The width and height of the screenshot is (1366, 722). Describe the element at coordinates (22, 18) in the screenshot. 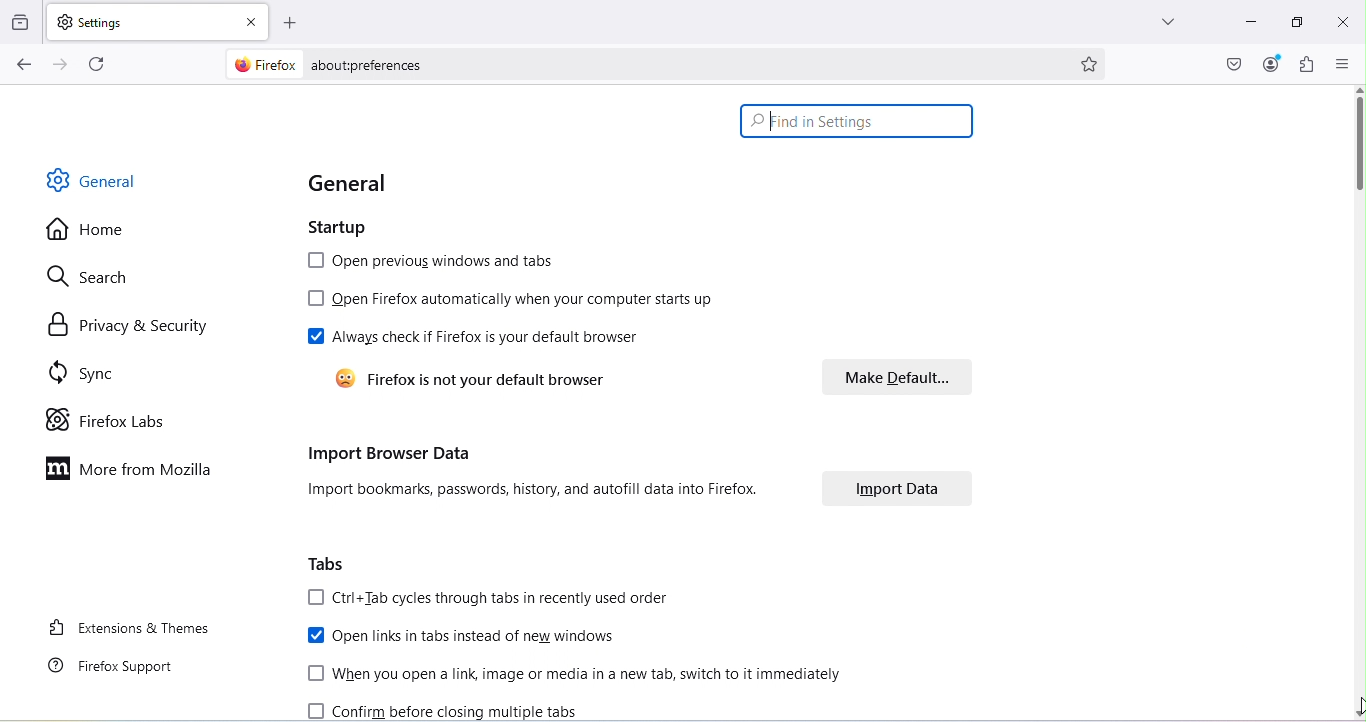

I see `View recent browsing across windows and devices` at that location.